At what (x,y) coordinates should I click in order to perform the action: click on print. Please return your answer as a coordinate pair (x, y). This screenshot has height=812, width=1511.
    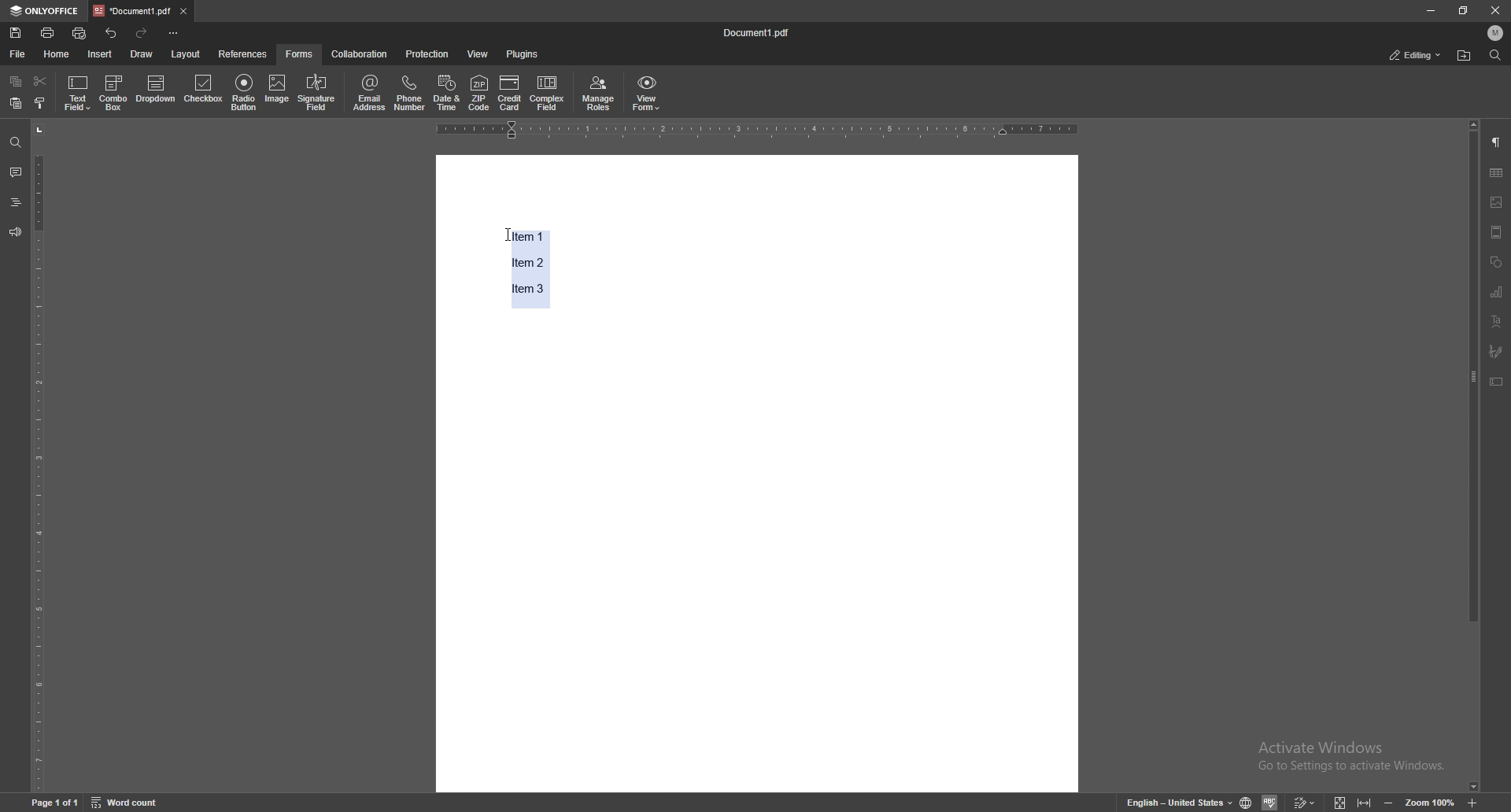
    Looking at the image, I should click on (48, 32).